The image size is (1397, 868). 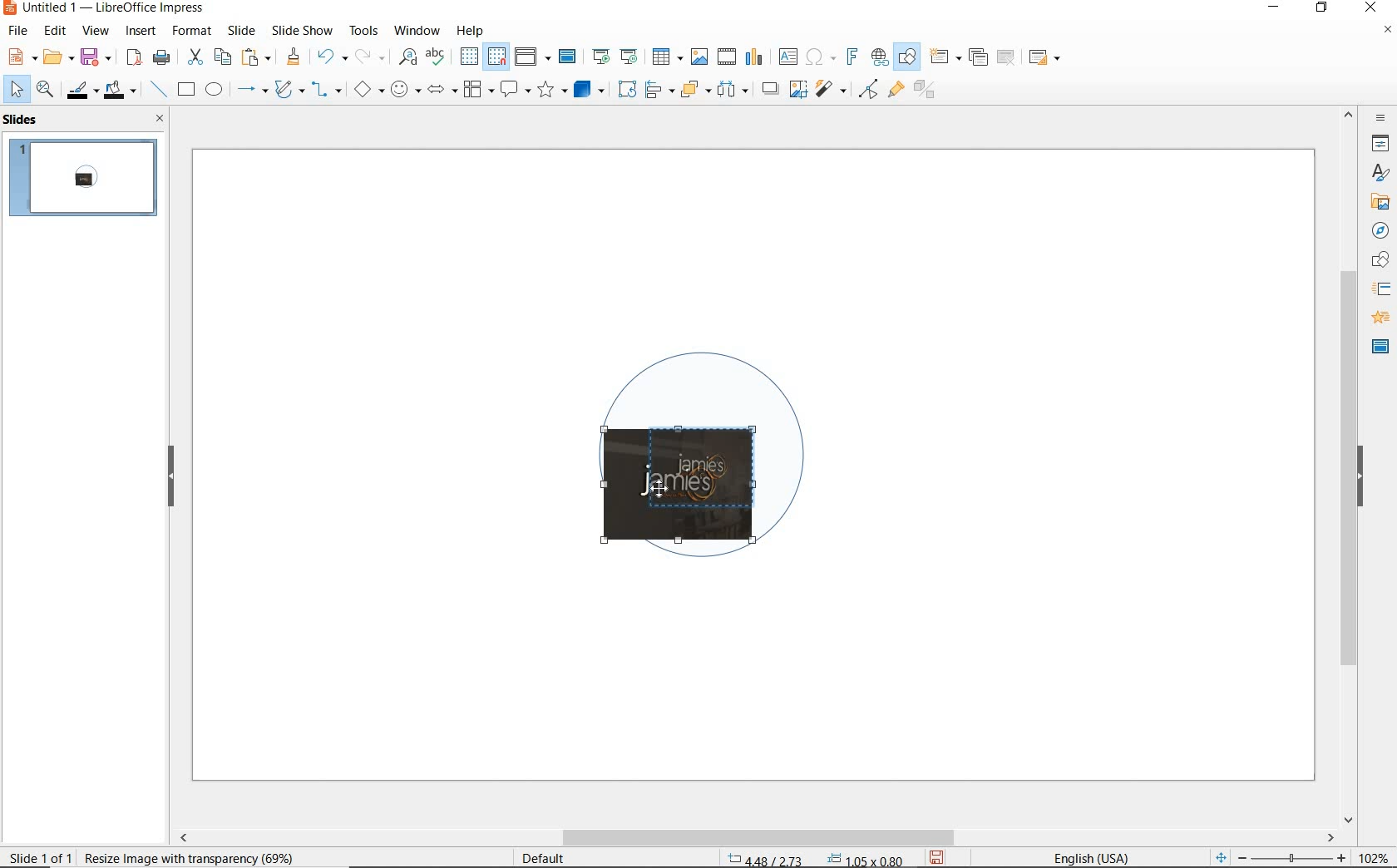 I want to click on select, so click(x=17, y=90).